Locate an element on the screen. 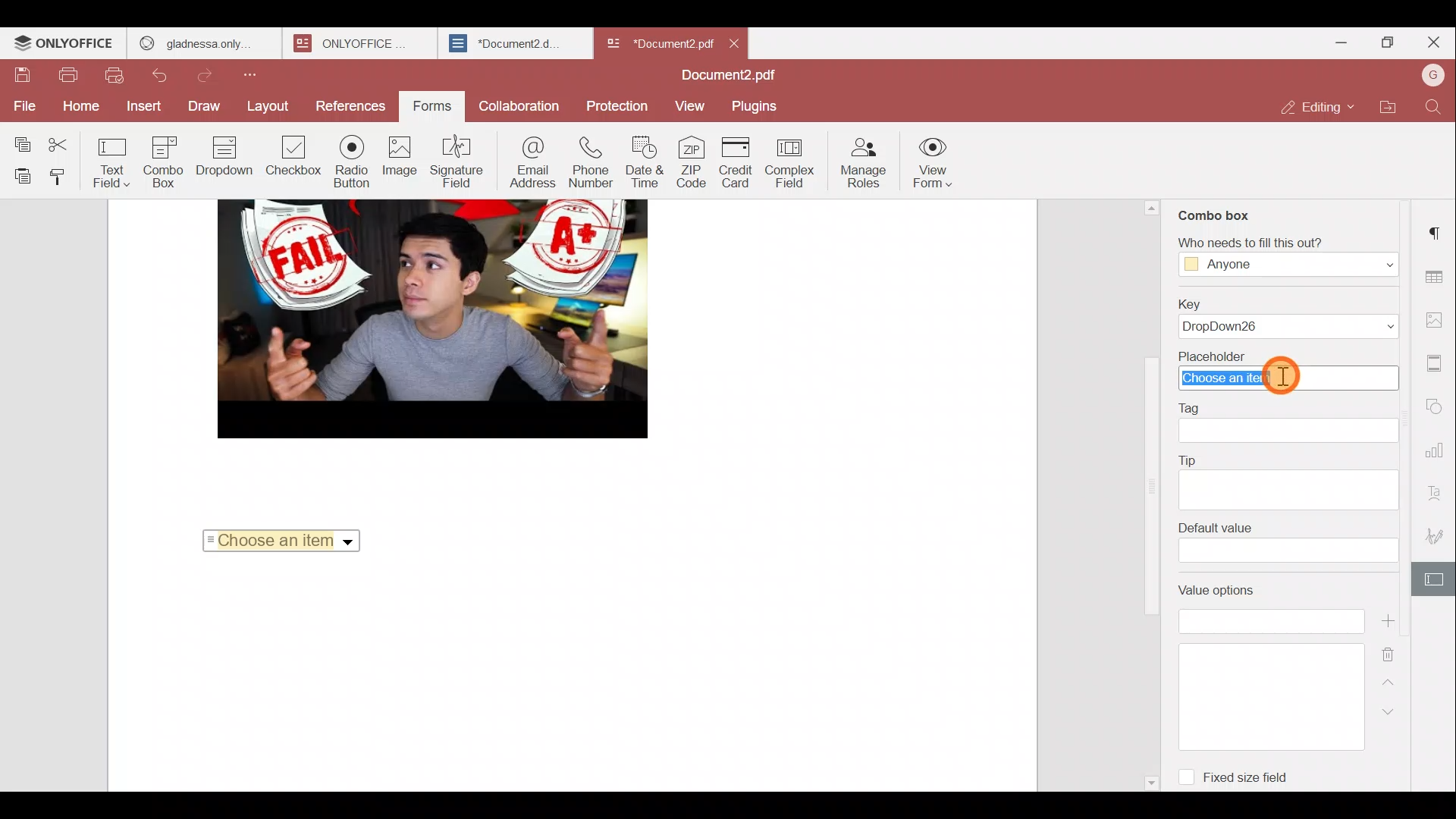 This screenshot has height=819, width=1456. Text Art settings is located at coordinates (1438, 491).